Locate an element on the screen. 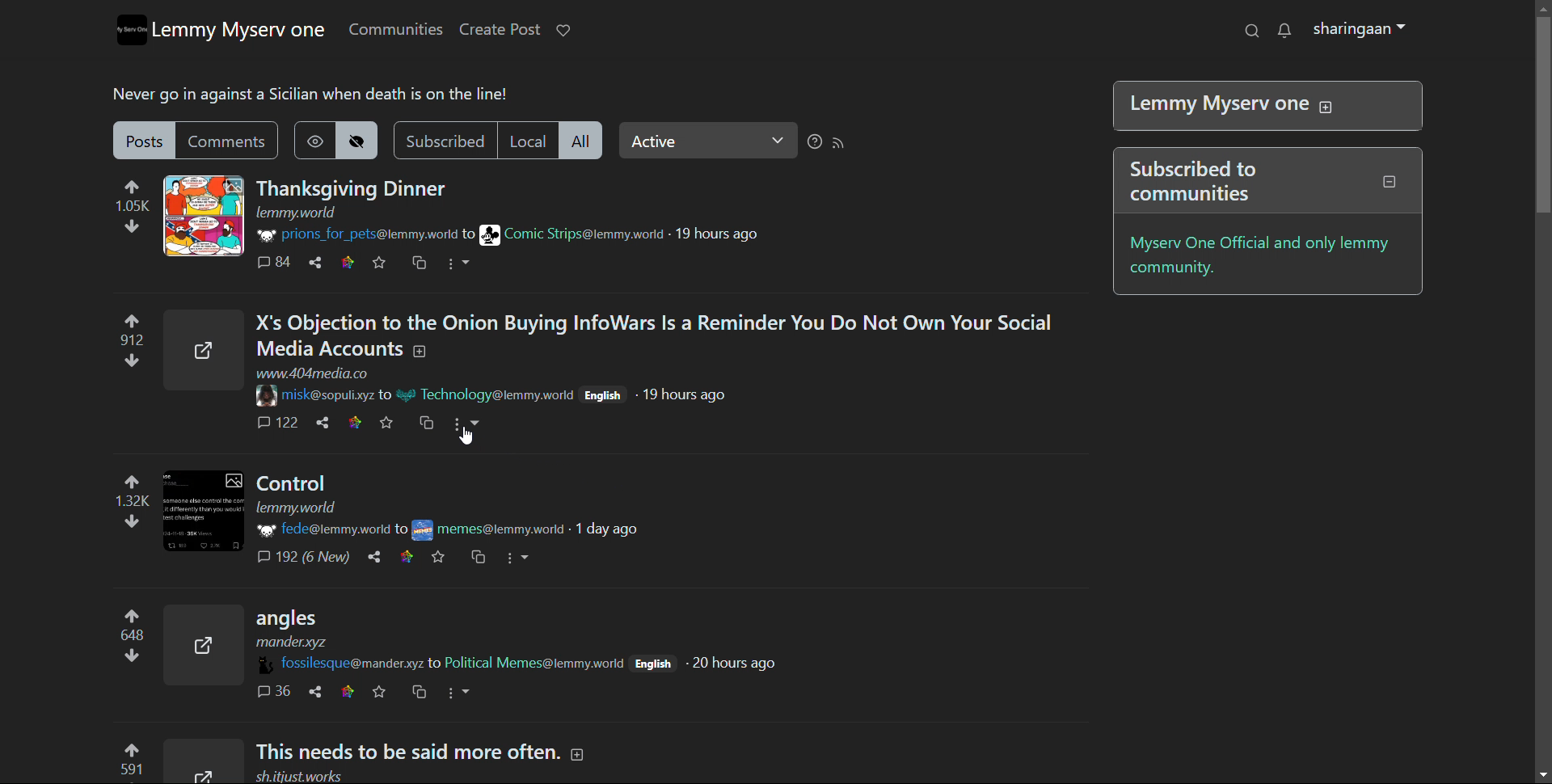 This screenshot has width=1552, height=784. post on "Control" is located at coordinates (414, 489).